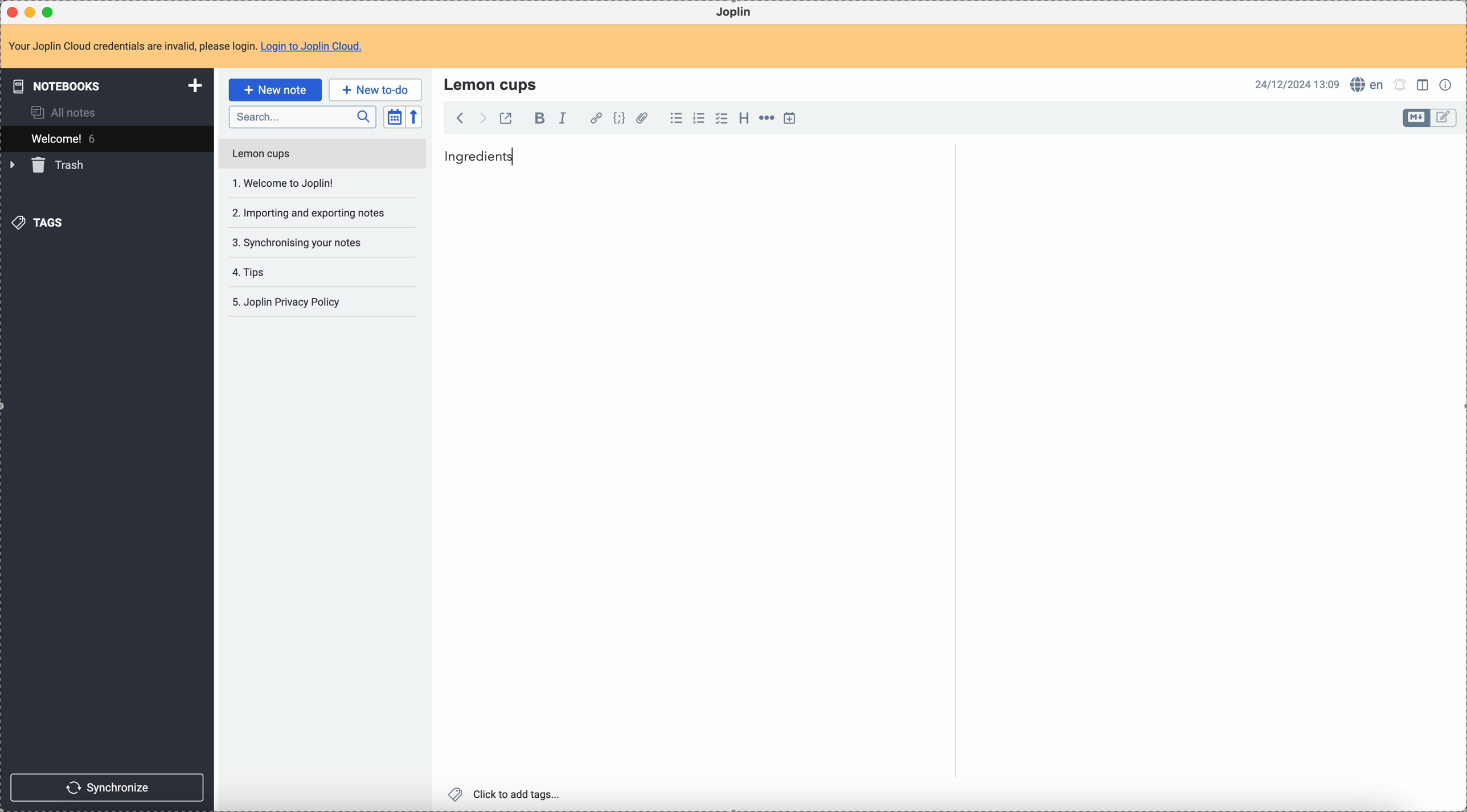  I want to click on insert time, so click(789, 118).